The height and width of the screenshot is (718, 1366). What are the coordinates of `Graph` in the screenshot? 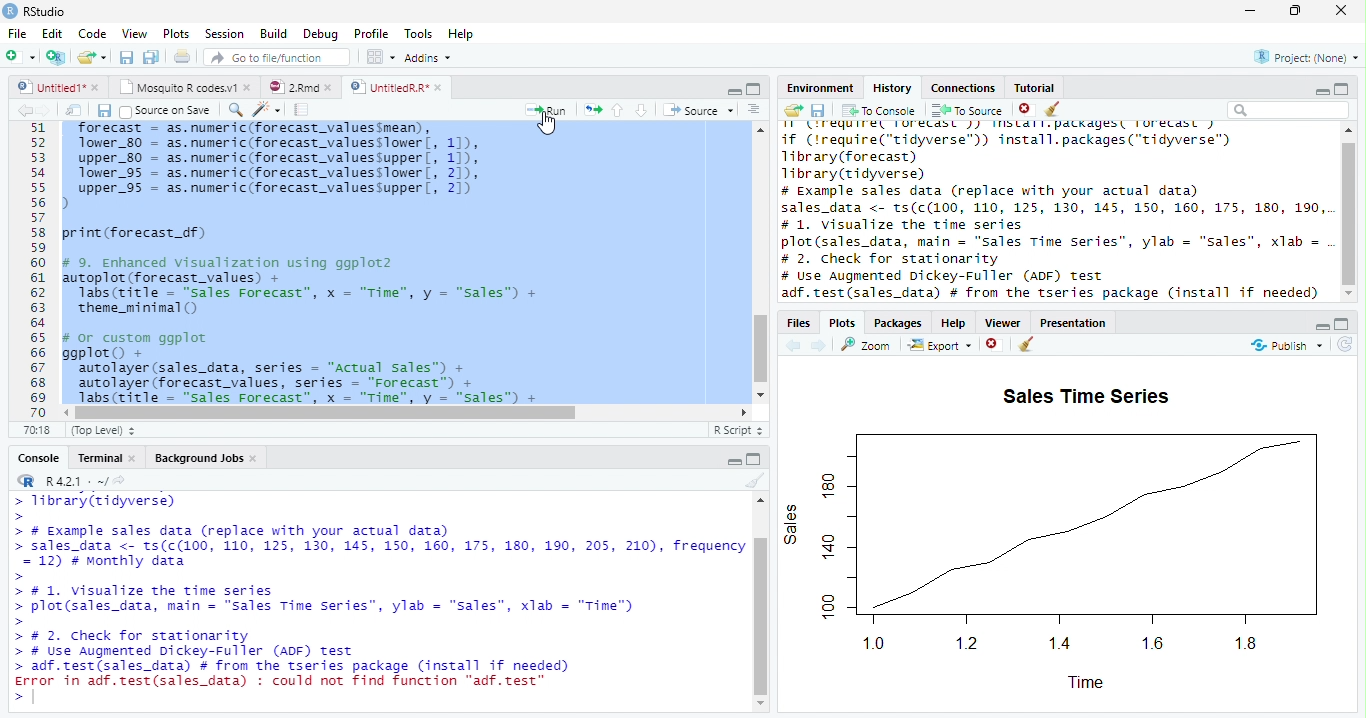 It's located at (1059, 541).